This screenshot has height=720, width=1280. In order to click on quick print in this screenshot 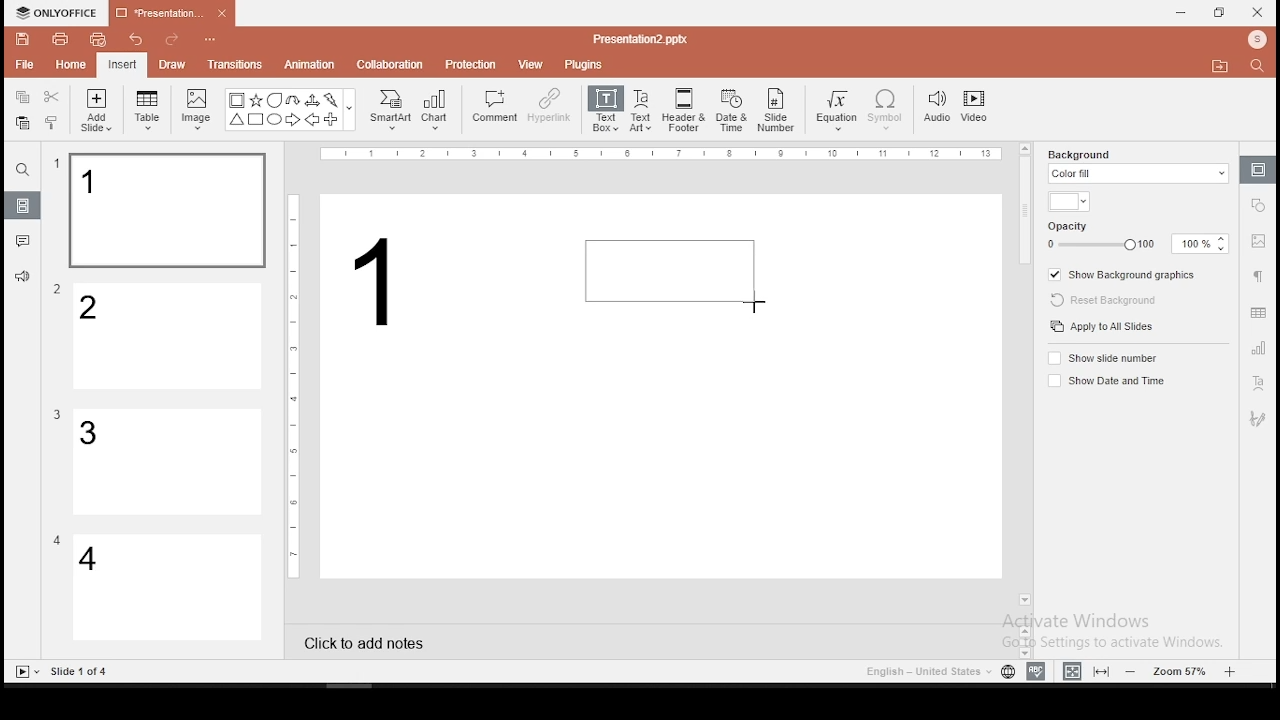, I will do `click(98, 39)`.